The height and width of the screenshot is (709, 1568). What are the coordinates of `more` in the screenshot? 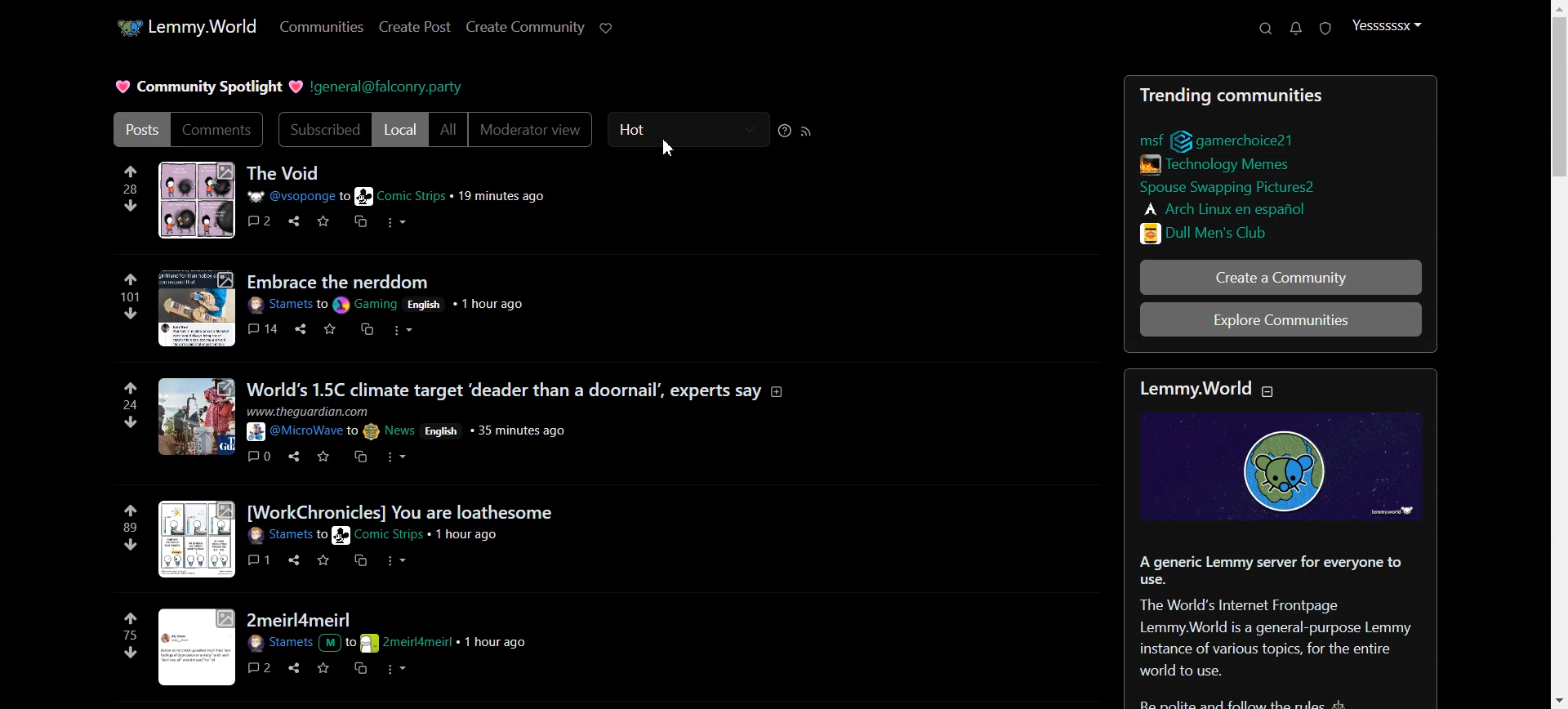 It's located at (399, 224).